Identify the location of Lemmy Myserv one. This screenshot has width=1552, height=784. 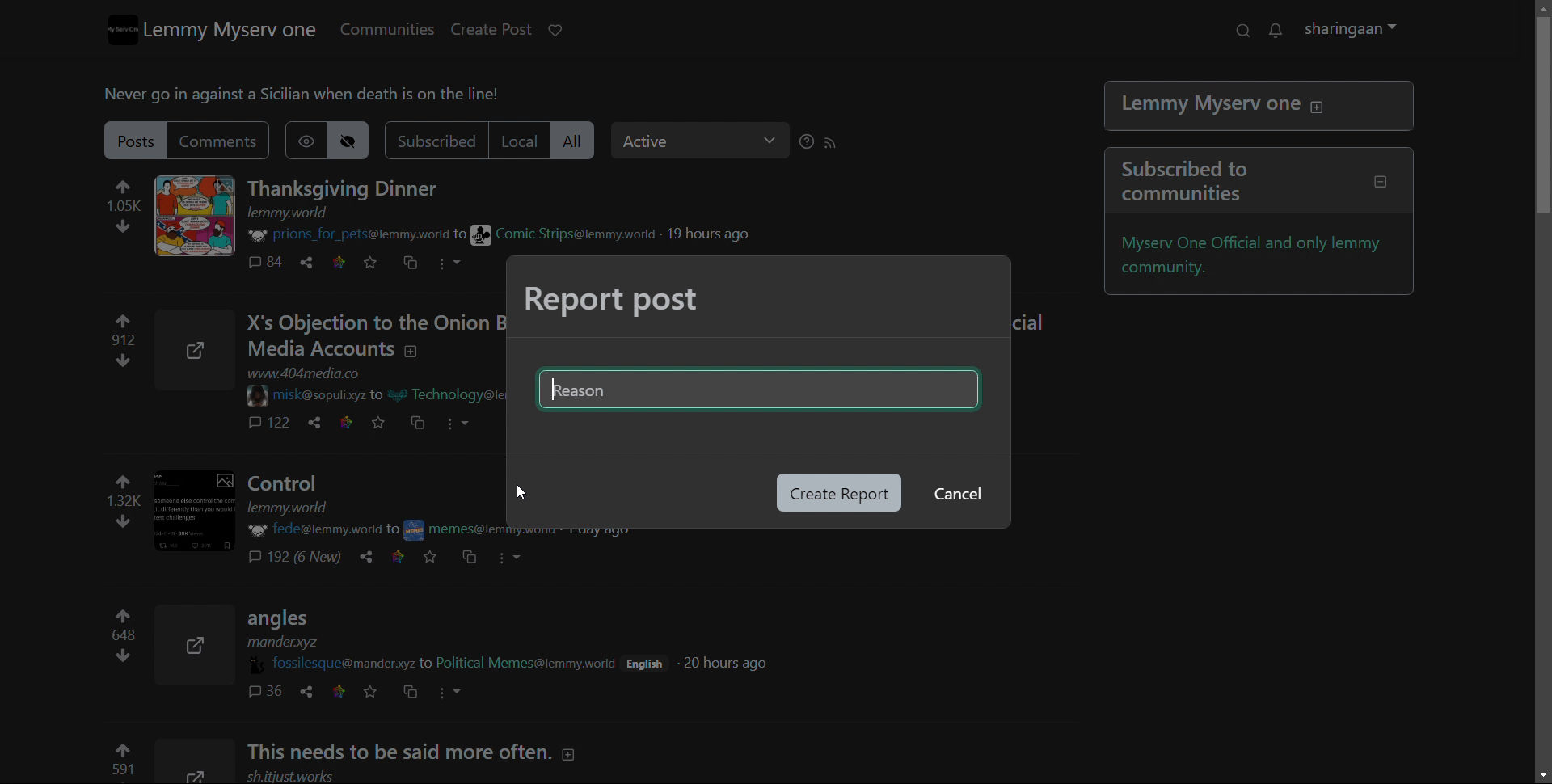
(1261, 107).